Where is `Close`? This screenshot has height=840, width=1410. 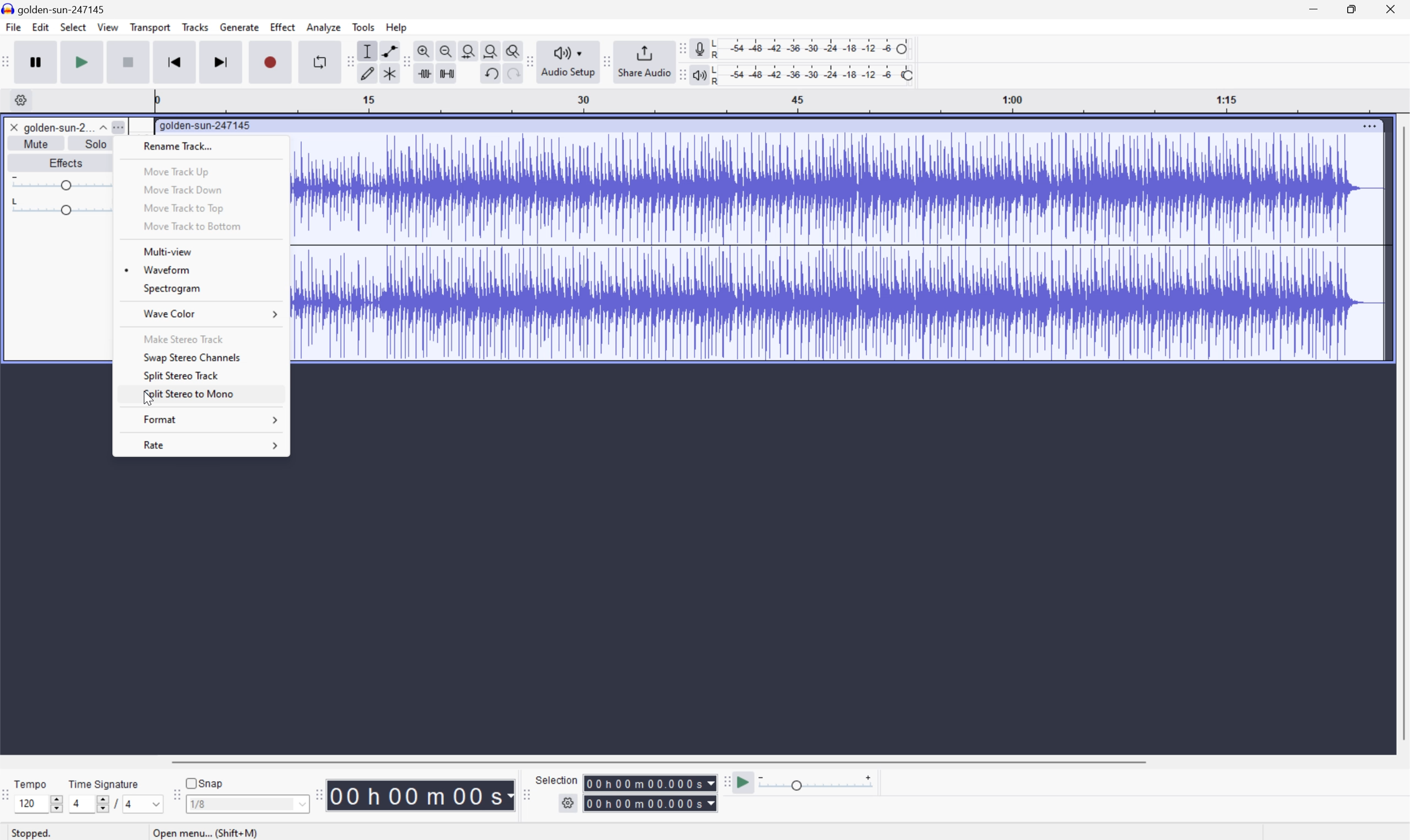 Close is located at coordinates (14, 127).